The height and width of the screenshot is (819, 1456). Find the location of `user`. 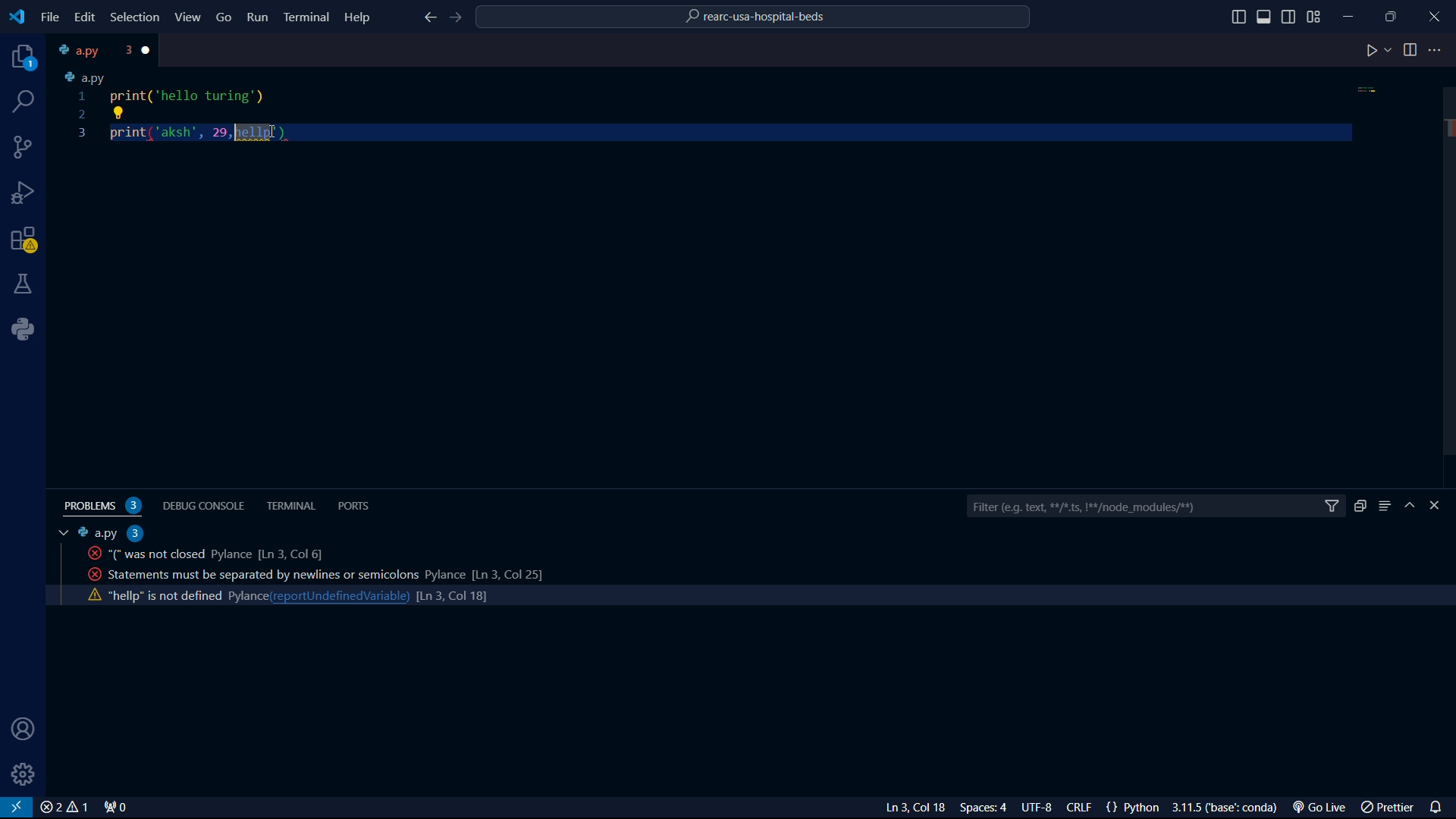

user is located at coordinates (19, 730).